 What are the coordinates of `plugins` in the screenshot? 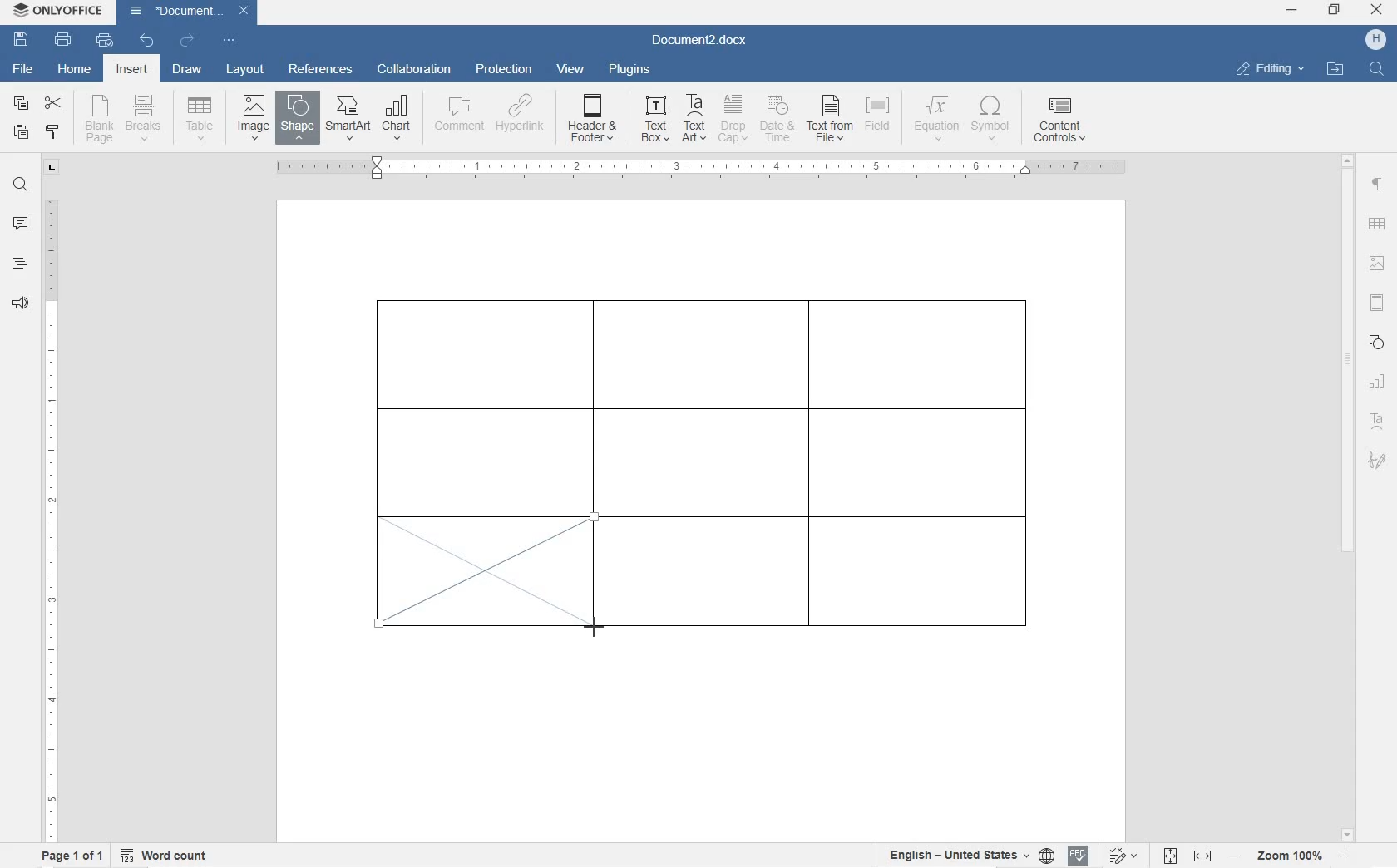 It's located at (630, 72).